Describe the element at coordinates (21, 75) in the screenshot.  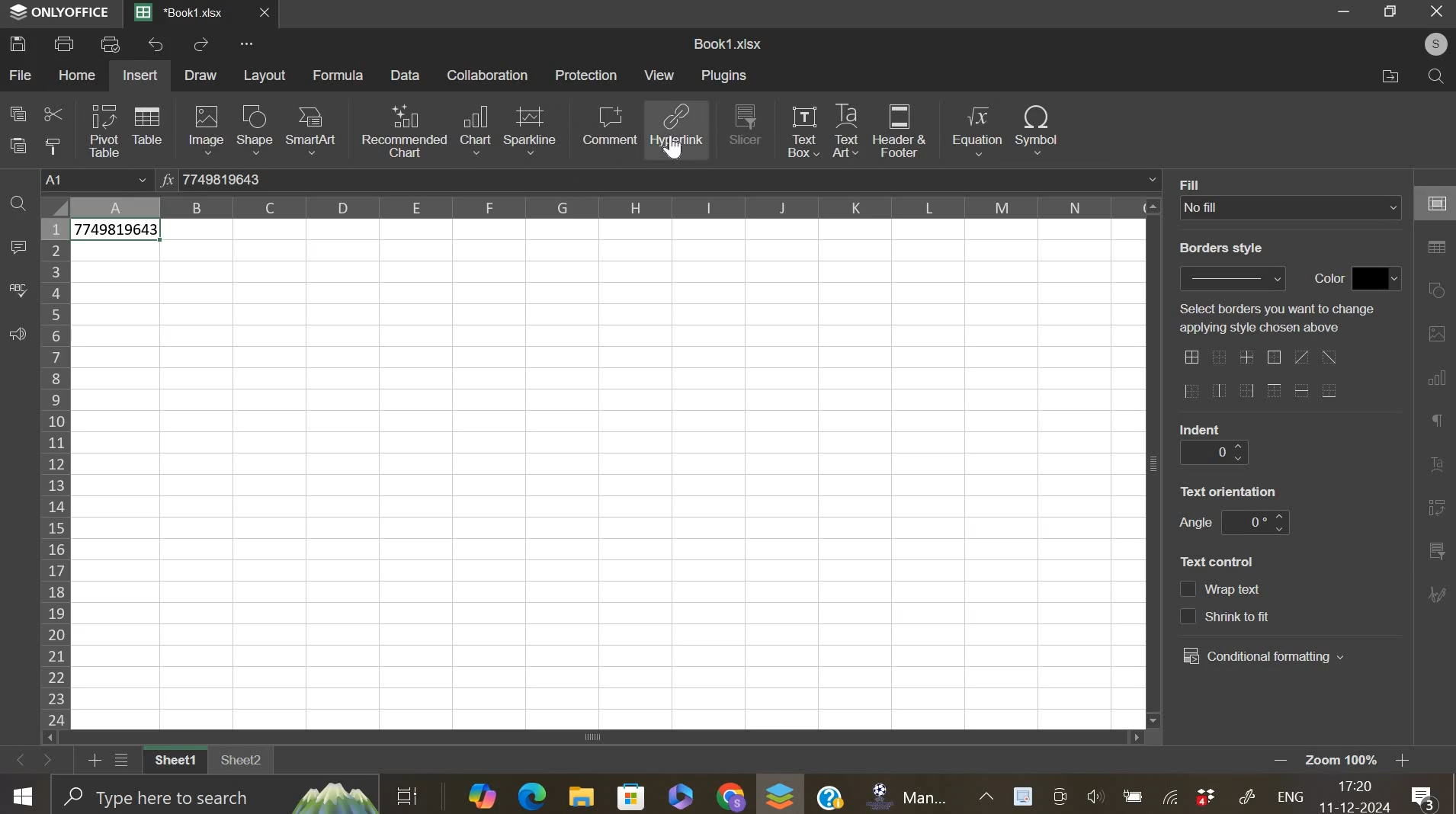
I see `file` at that location.